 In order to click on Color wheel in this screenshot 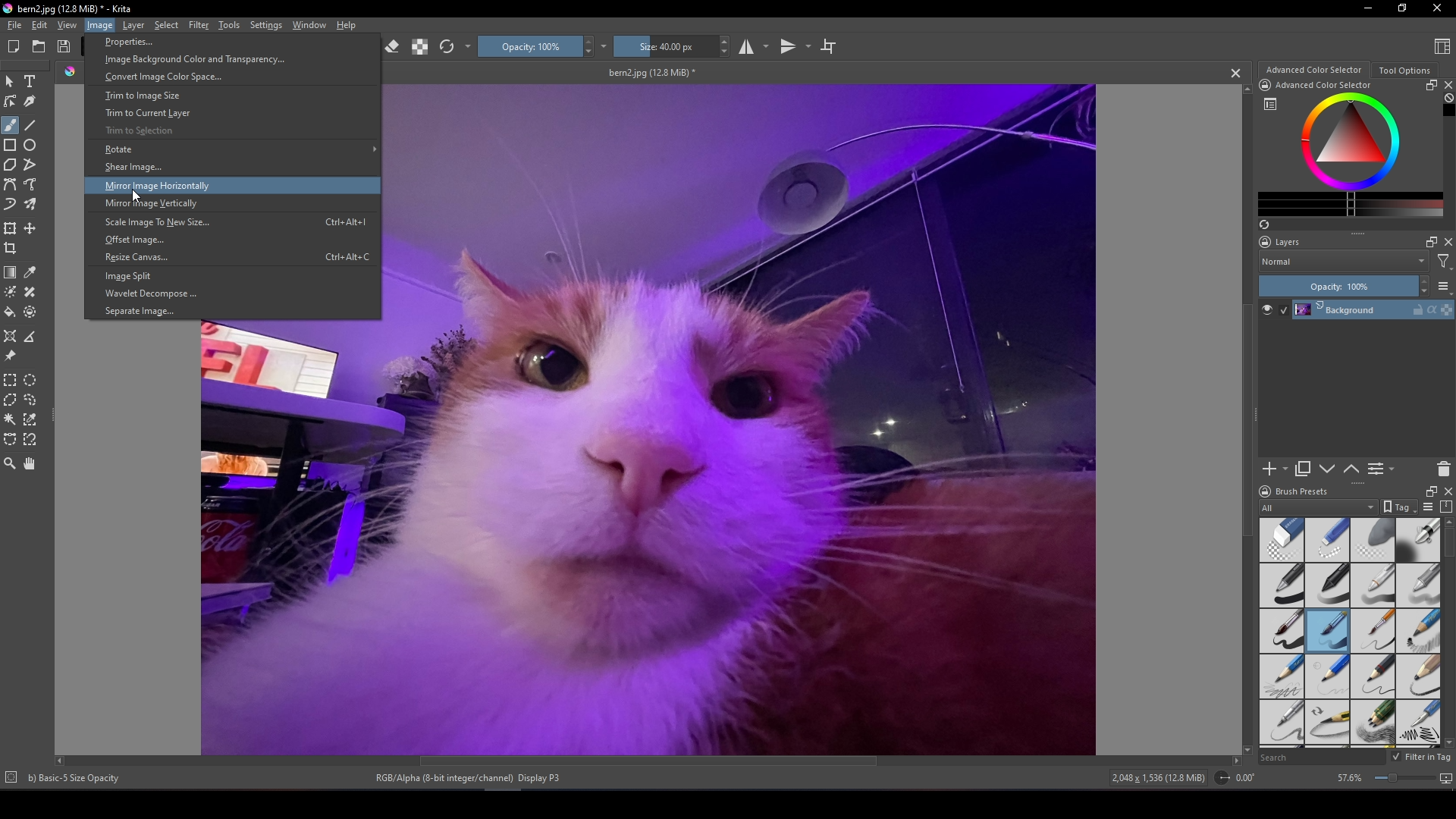, I will do `click(1349, 141)`.